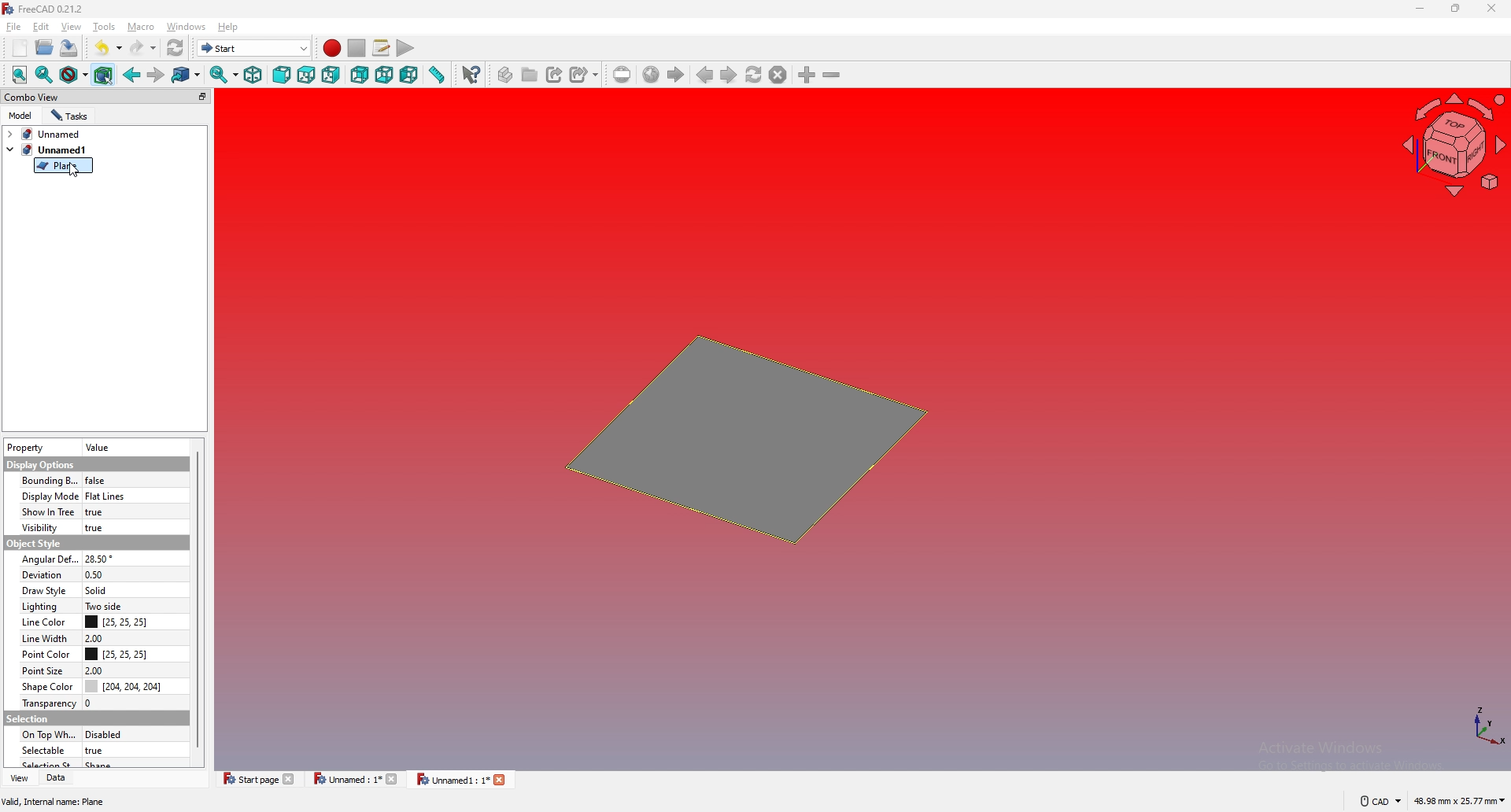 The image size is (1511, 812). I want to click on new, so click(20, 48).